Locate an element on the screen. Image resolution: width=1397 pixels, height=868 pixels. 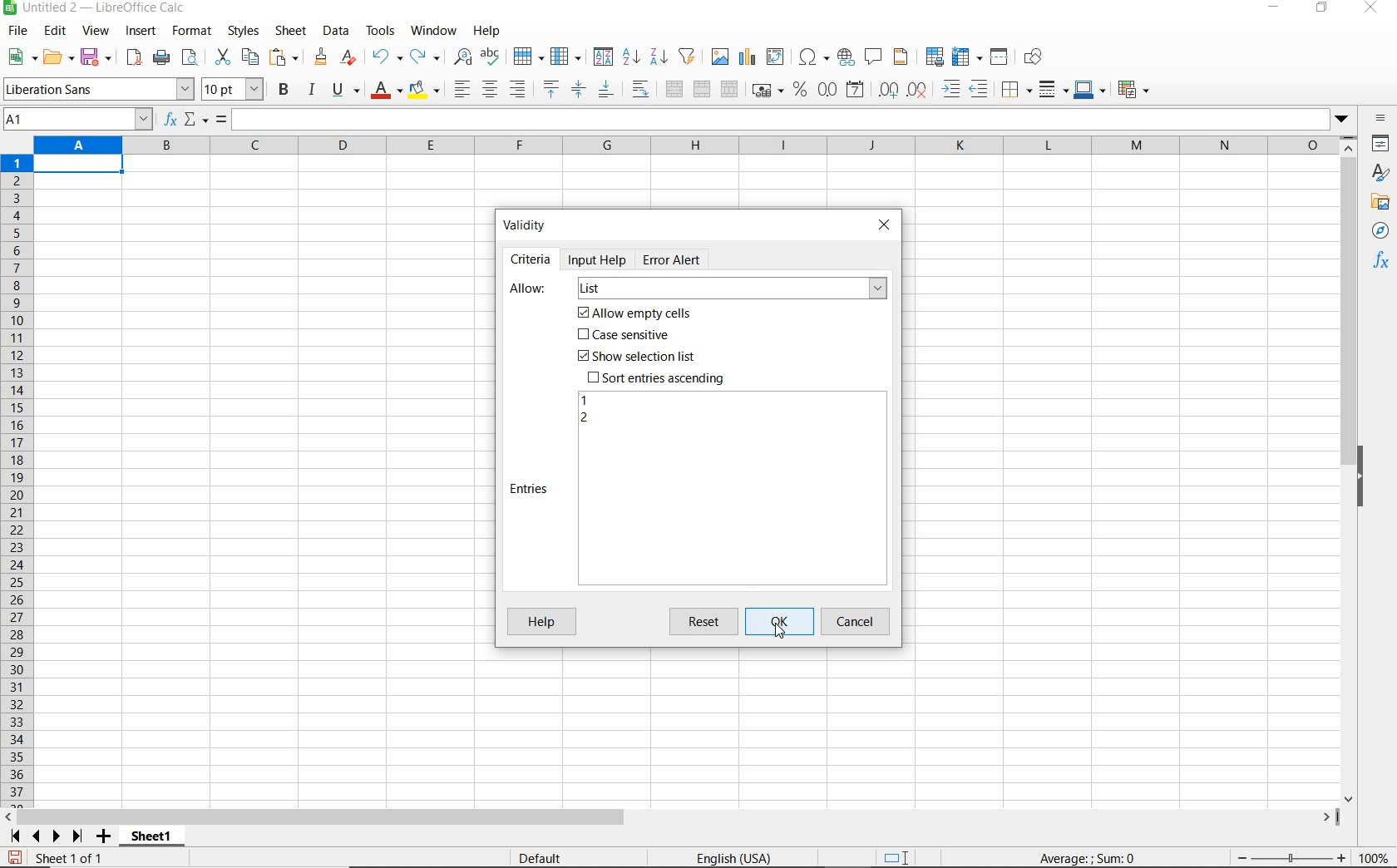
dropdown is located at coordinates (1343, 121).